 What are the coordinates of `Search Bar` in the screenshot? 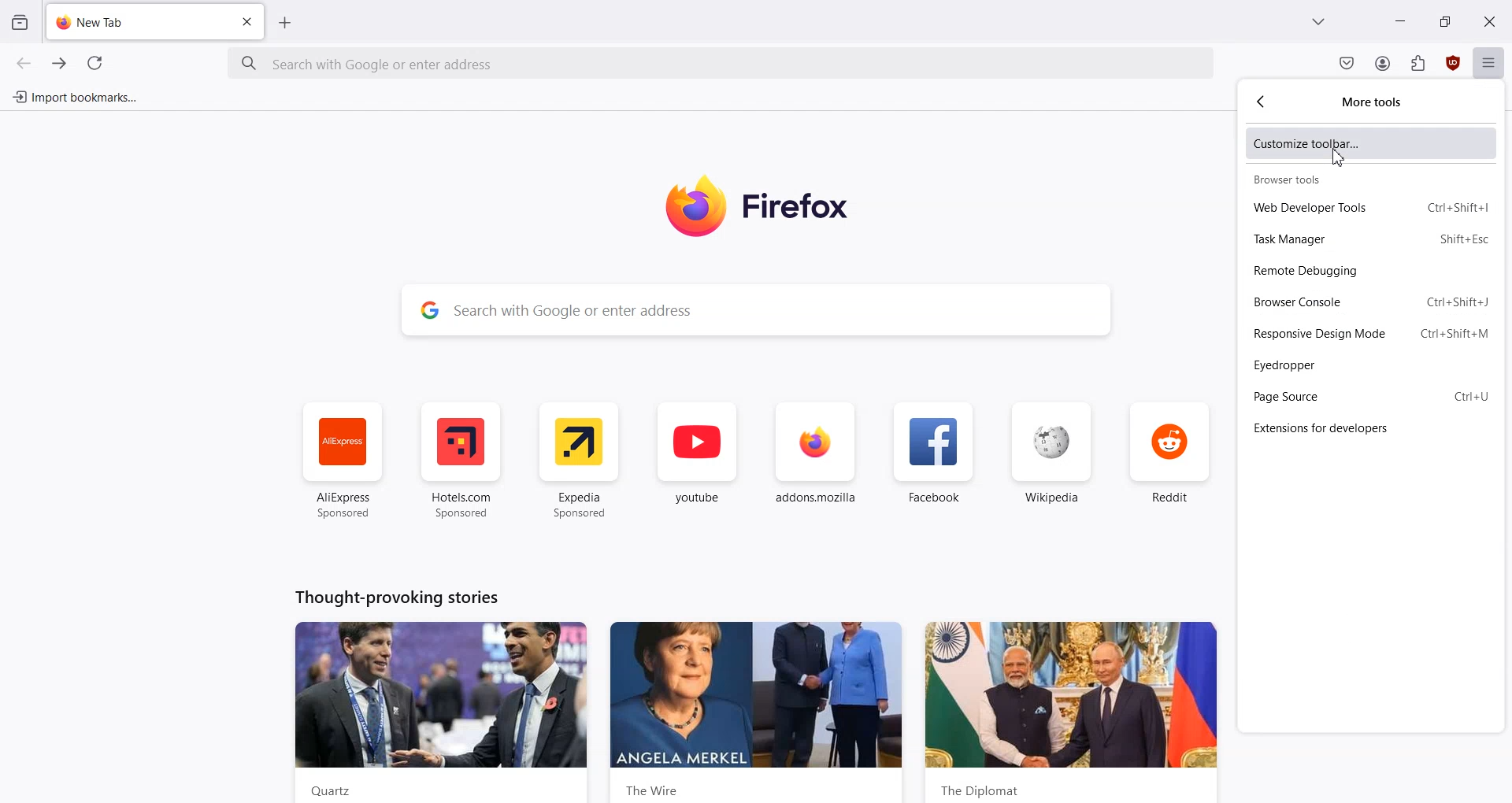 It's located at (722, 64).